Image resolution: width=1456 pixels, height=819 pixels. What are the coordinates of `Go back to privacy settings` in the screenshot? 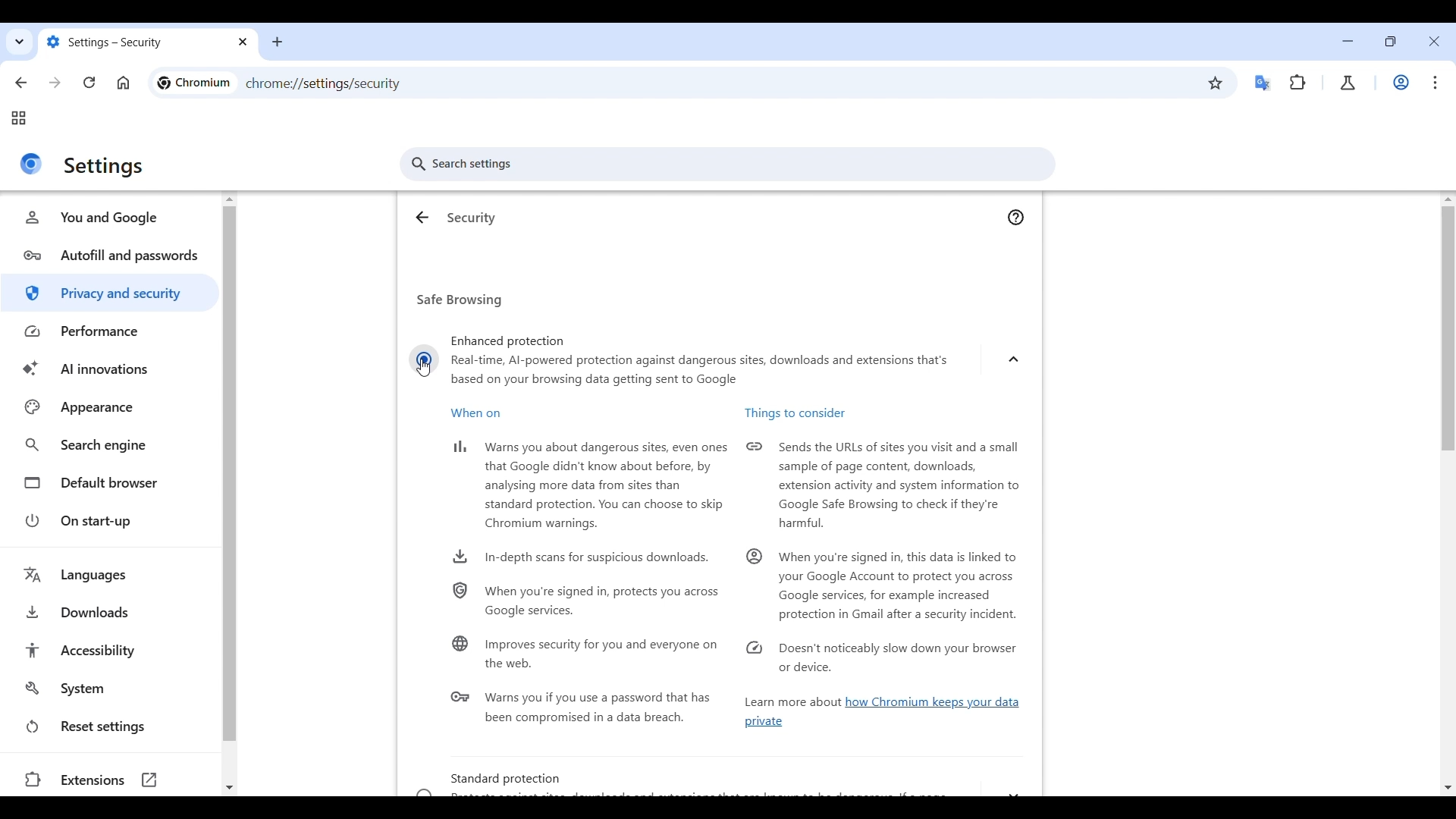 It's located at (423, 218).